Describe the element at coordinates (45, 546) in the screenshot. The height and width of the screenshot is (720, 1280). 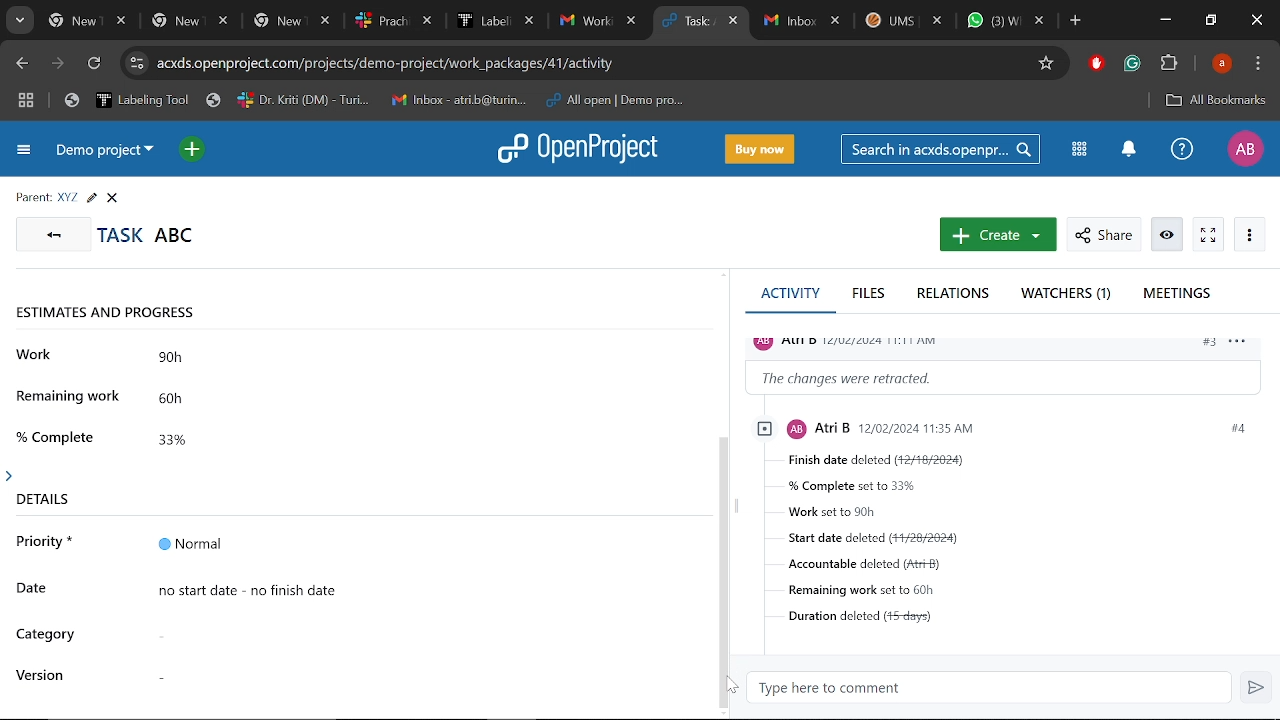
I see `priority` at that location.